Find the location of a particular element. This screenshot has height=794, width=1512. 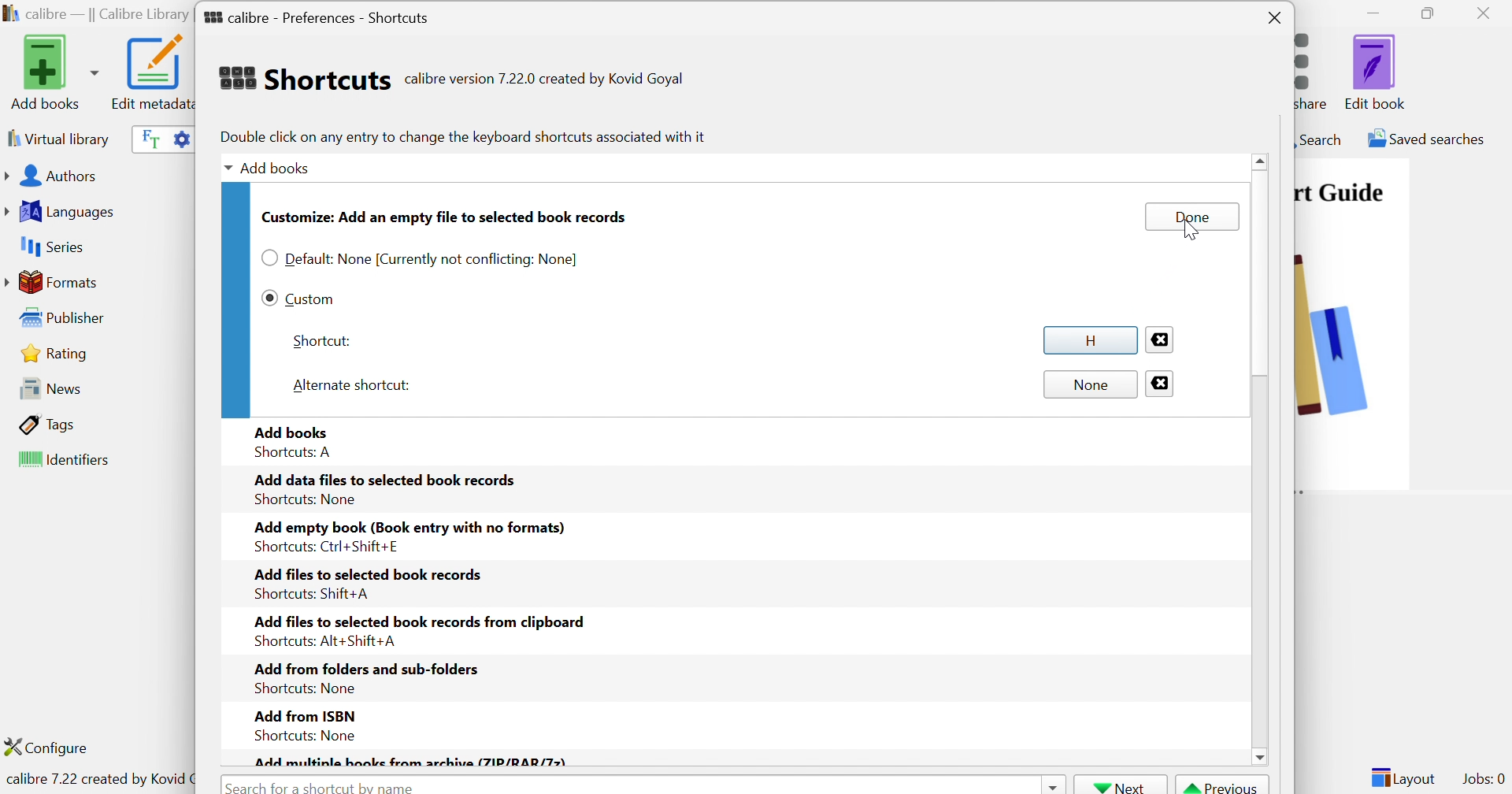

Advanced search is located at coordinates (180, 137).